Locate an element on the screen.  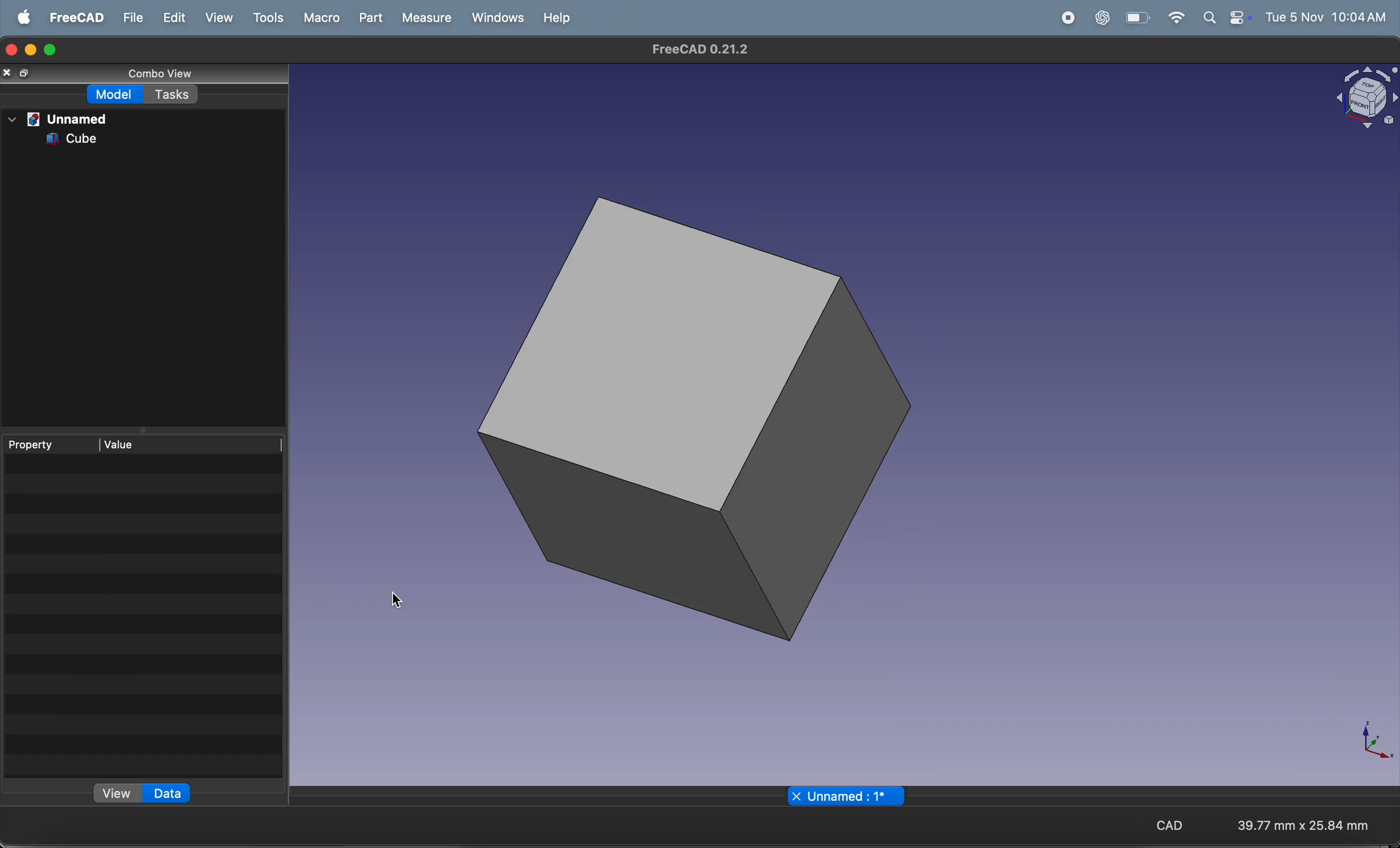
edit is located at coordinates (168, 16).